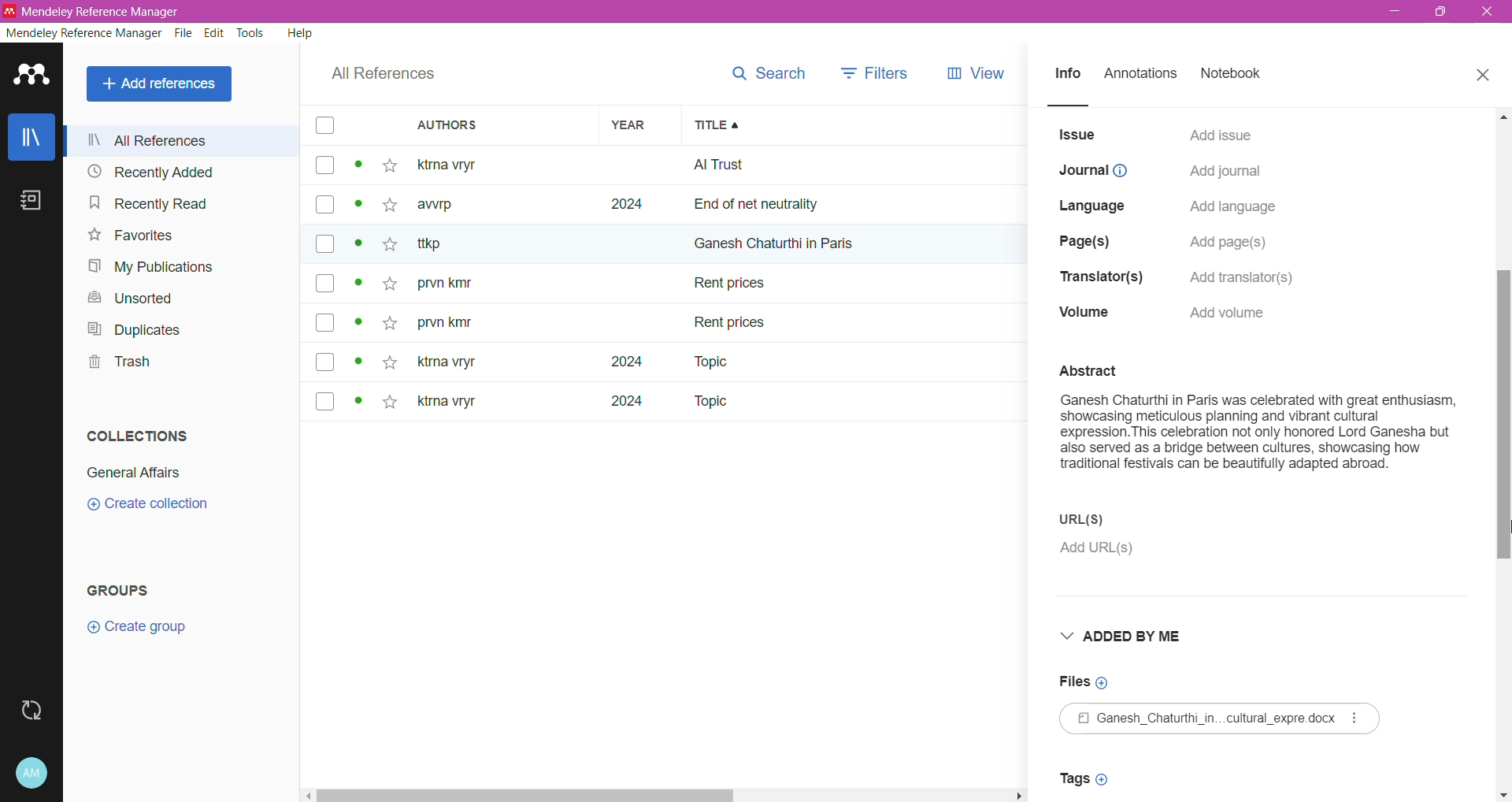 This screenshot has width=1512, height=802. What do you see at coordinates (769, 69) in the screenshot?
I see `Search` at bounding box center [769, 69].